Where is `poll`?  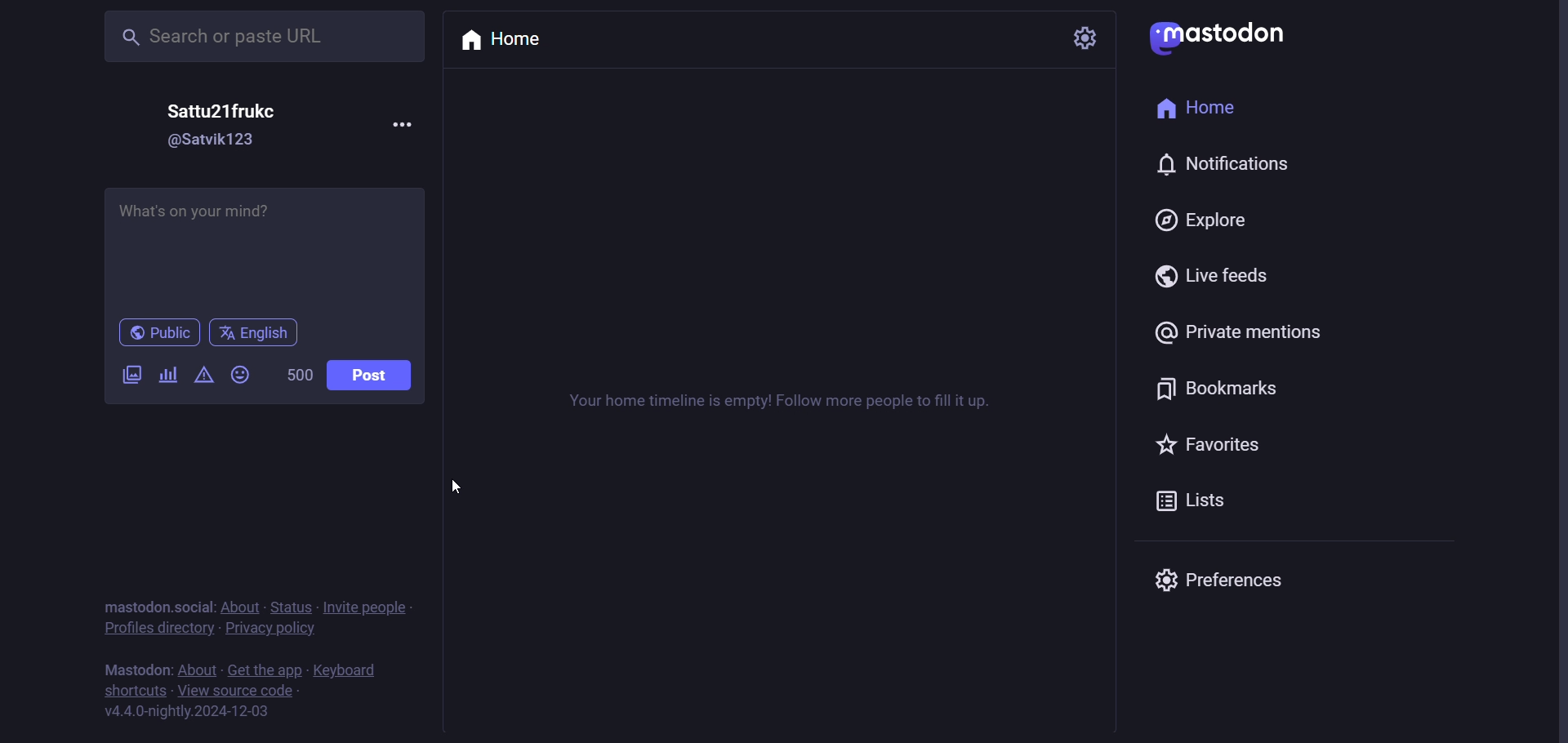 poll is located at coordinates (167, 376).